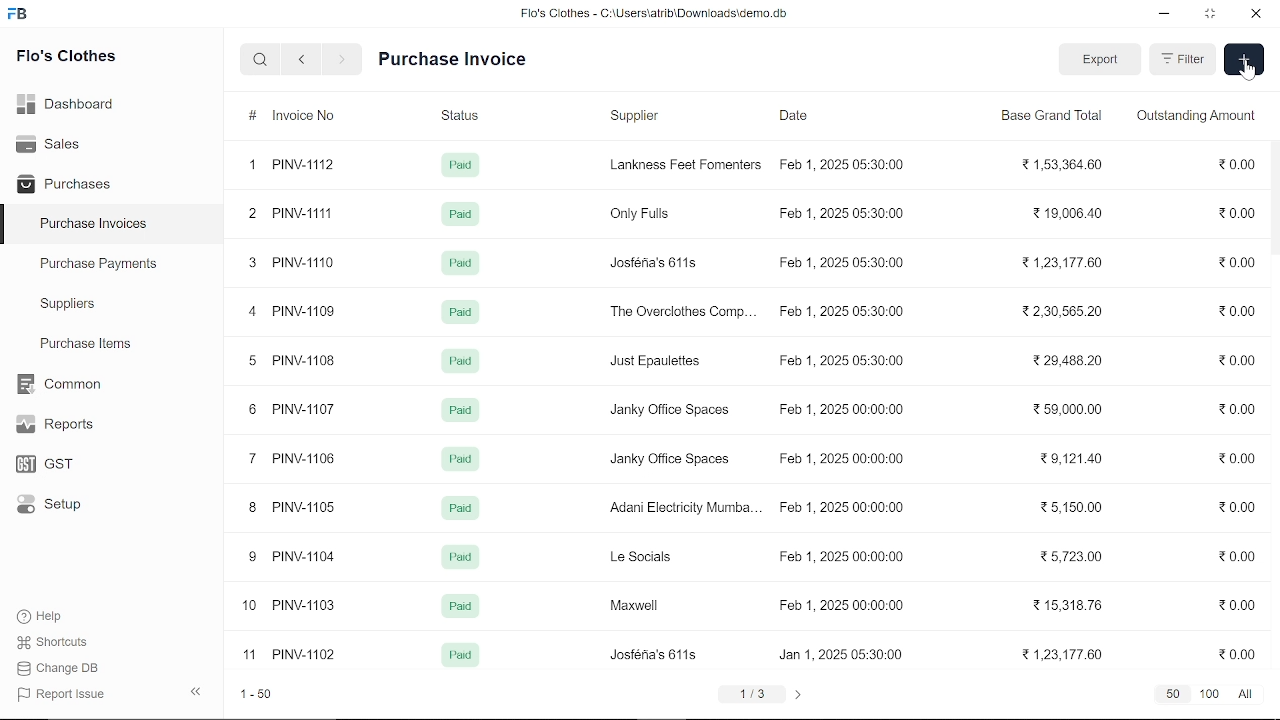 The width and height of the screenshot is (1280, 720). Describe the element at coordinates (192, 693) in the screenshot. I see `hide` at that location.